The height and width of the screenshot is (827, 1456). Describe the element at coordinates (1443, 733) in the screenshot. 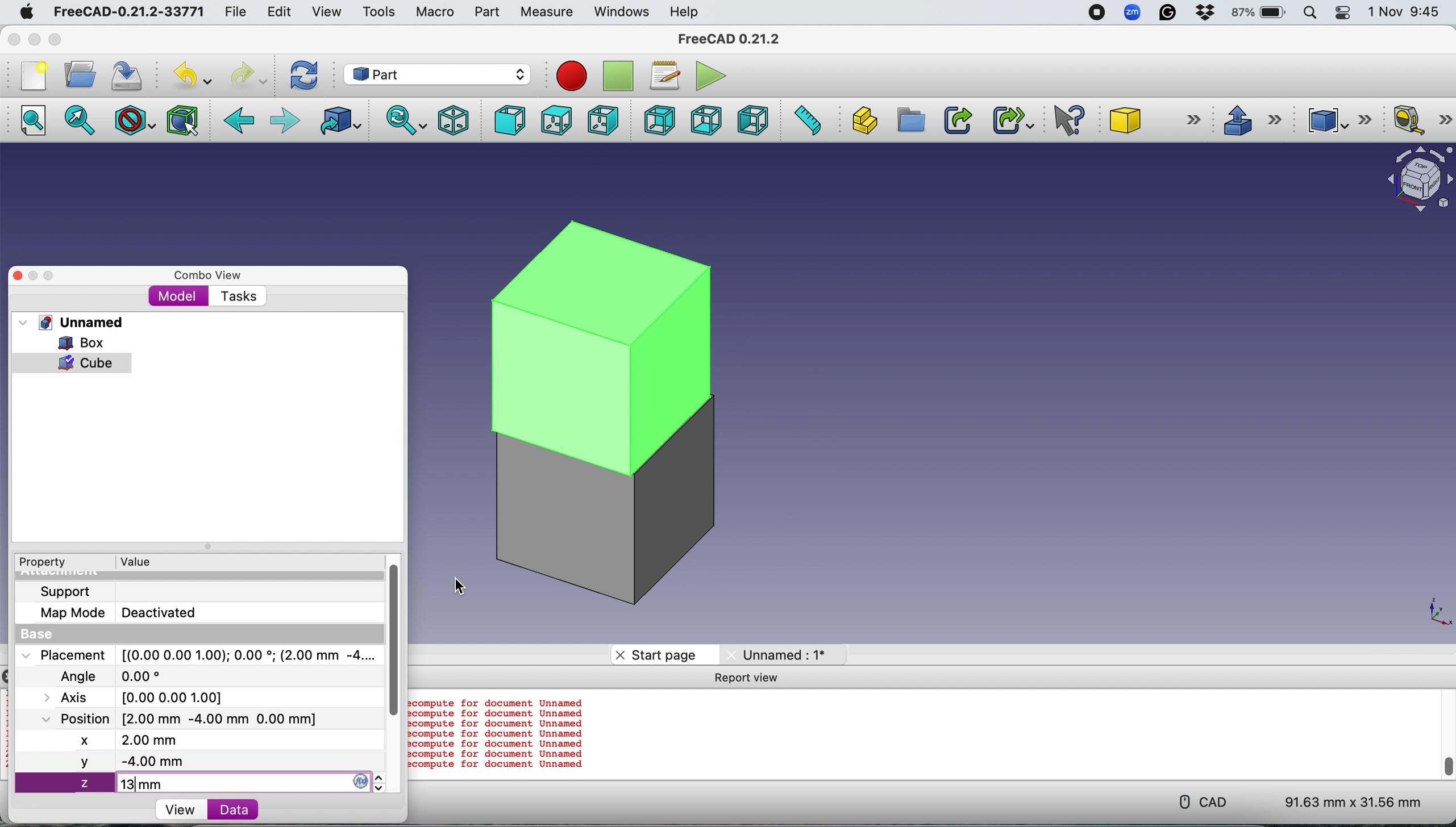

I see `vertical scroll bar` at that location.